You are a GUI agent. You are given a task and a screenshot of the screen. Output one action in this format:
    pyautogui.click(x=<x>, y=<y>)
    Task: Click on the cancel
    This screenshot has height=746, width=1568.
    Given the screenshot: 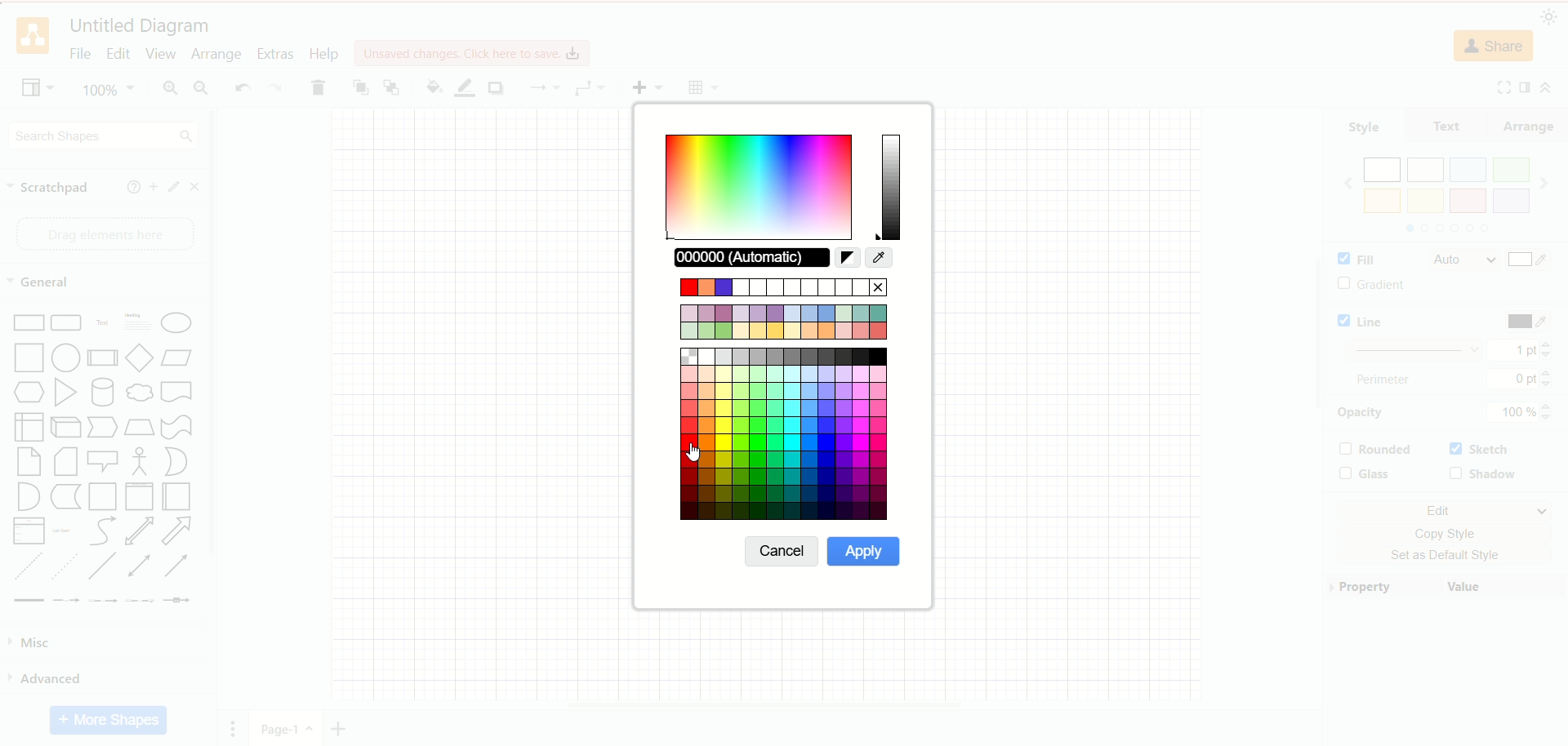 What is the action you would take?
    pyautogui.click(x=782, y=552)
    